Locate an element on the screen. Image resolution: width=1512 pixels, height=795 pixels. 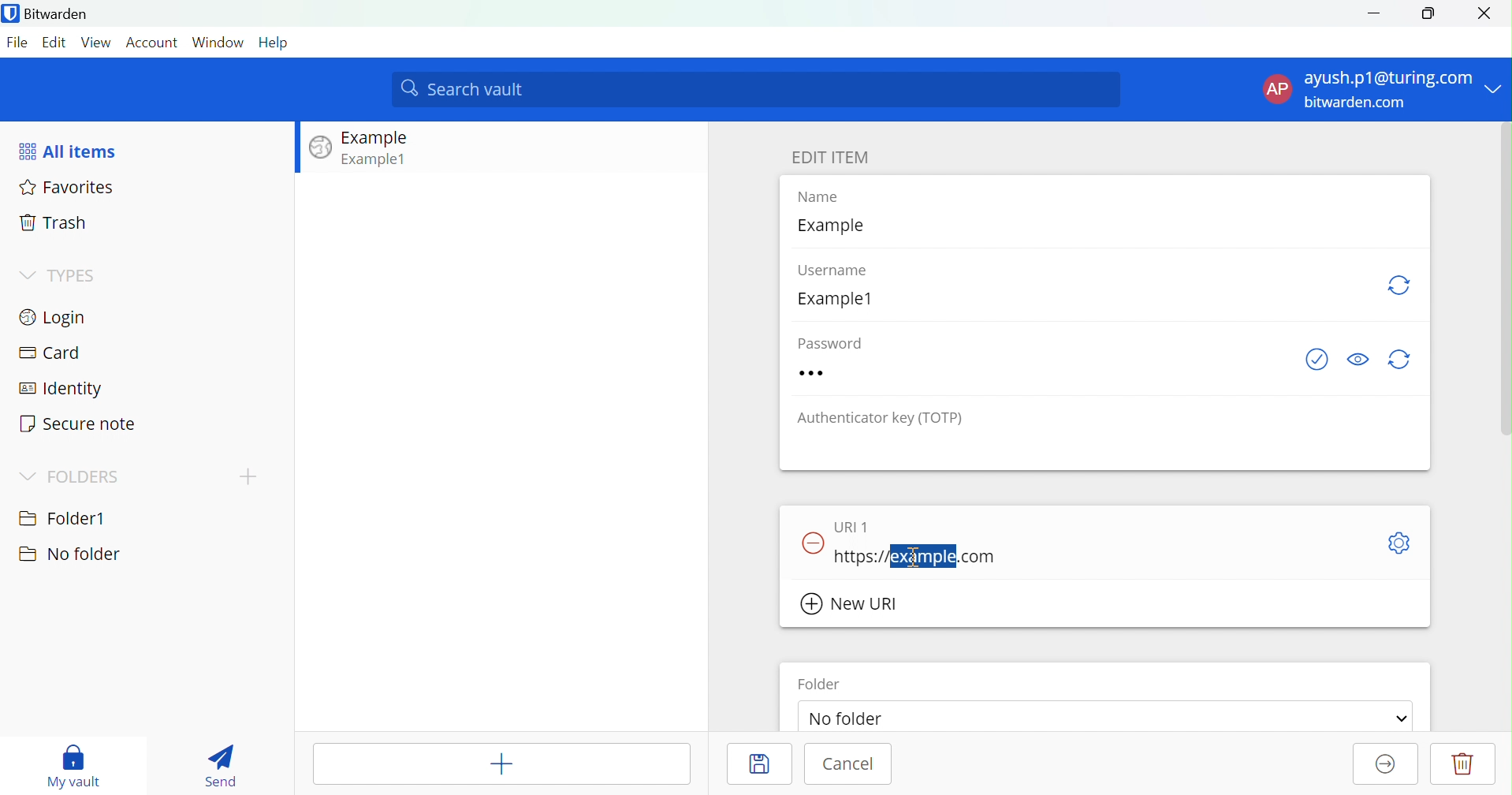
Password is located at coordinates (838, 342).